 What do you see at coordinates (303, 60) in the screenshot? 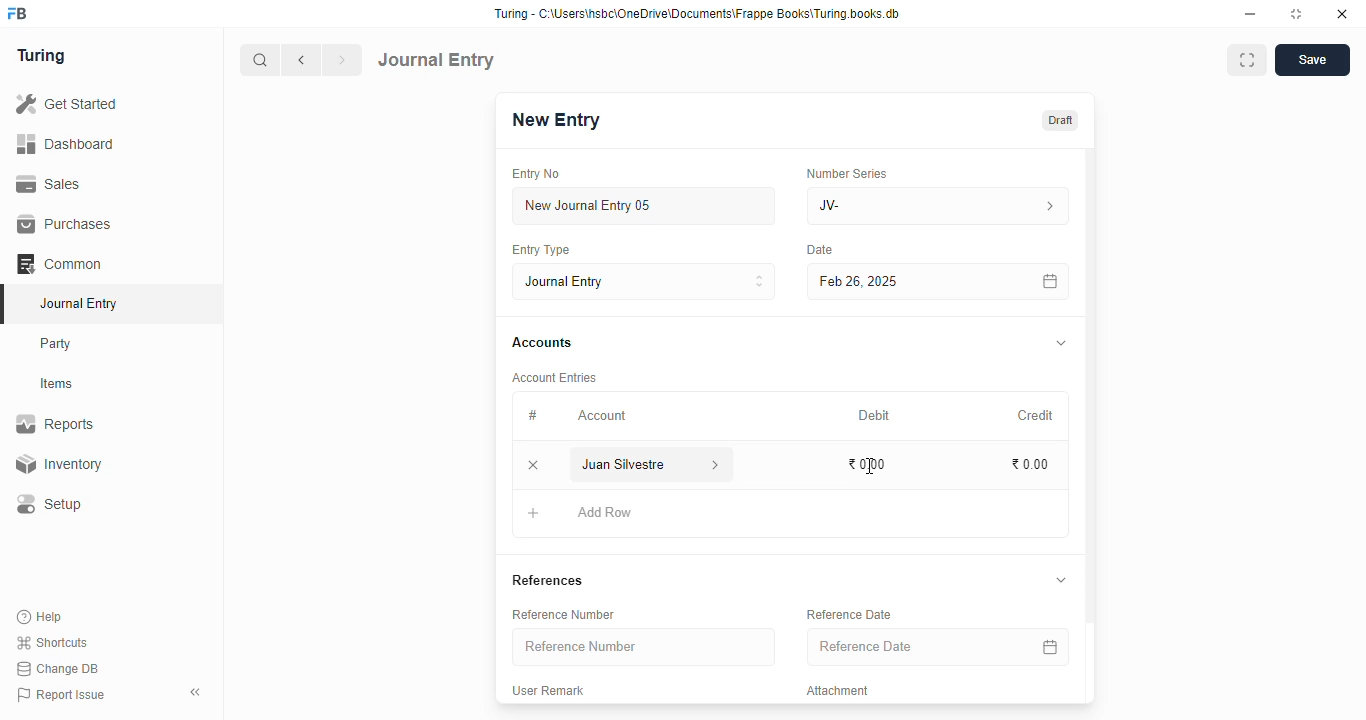
I see `previous` at bounding box center [303, 60].